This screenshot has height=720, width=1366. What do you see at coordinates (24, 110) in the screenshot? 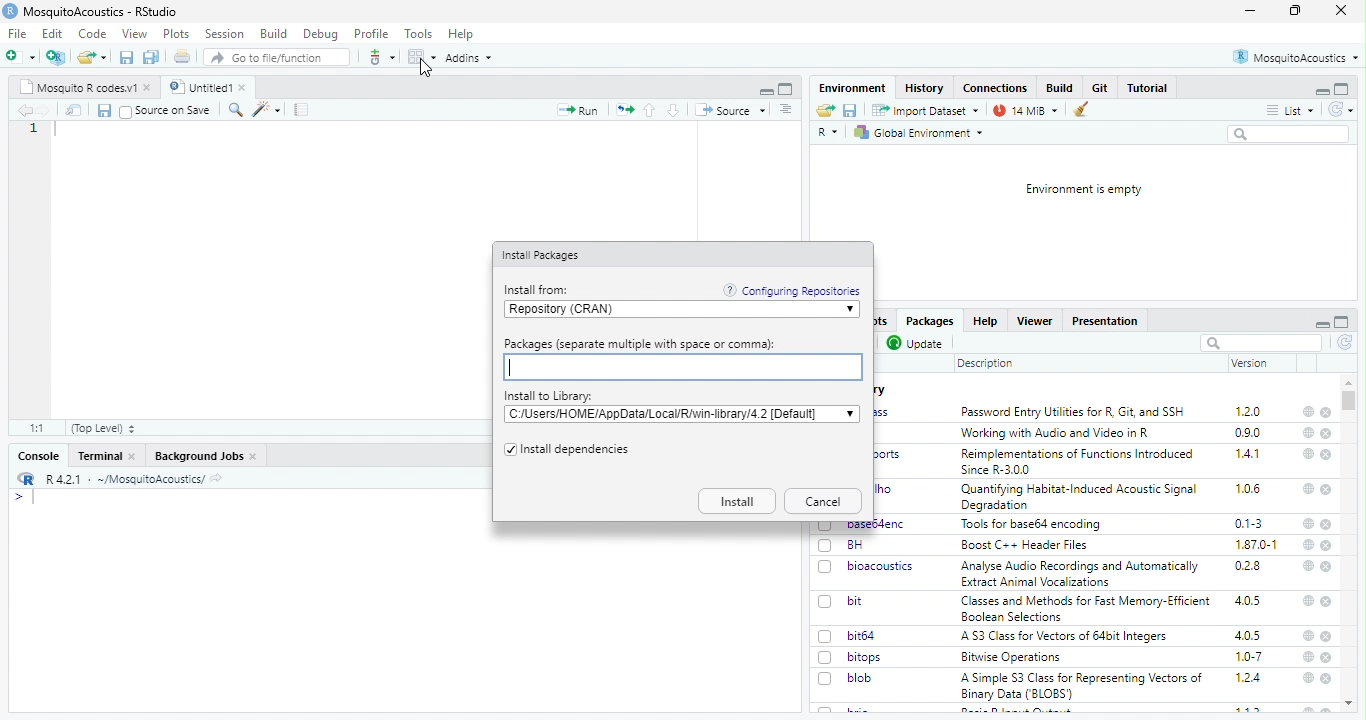
I see `backward` at bounding box center [24, 110].